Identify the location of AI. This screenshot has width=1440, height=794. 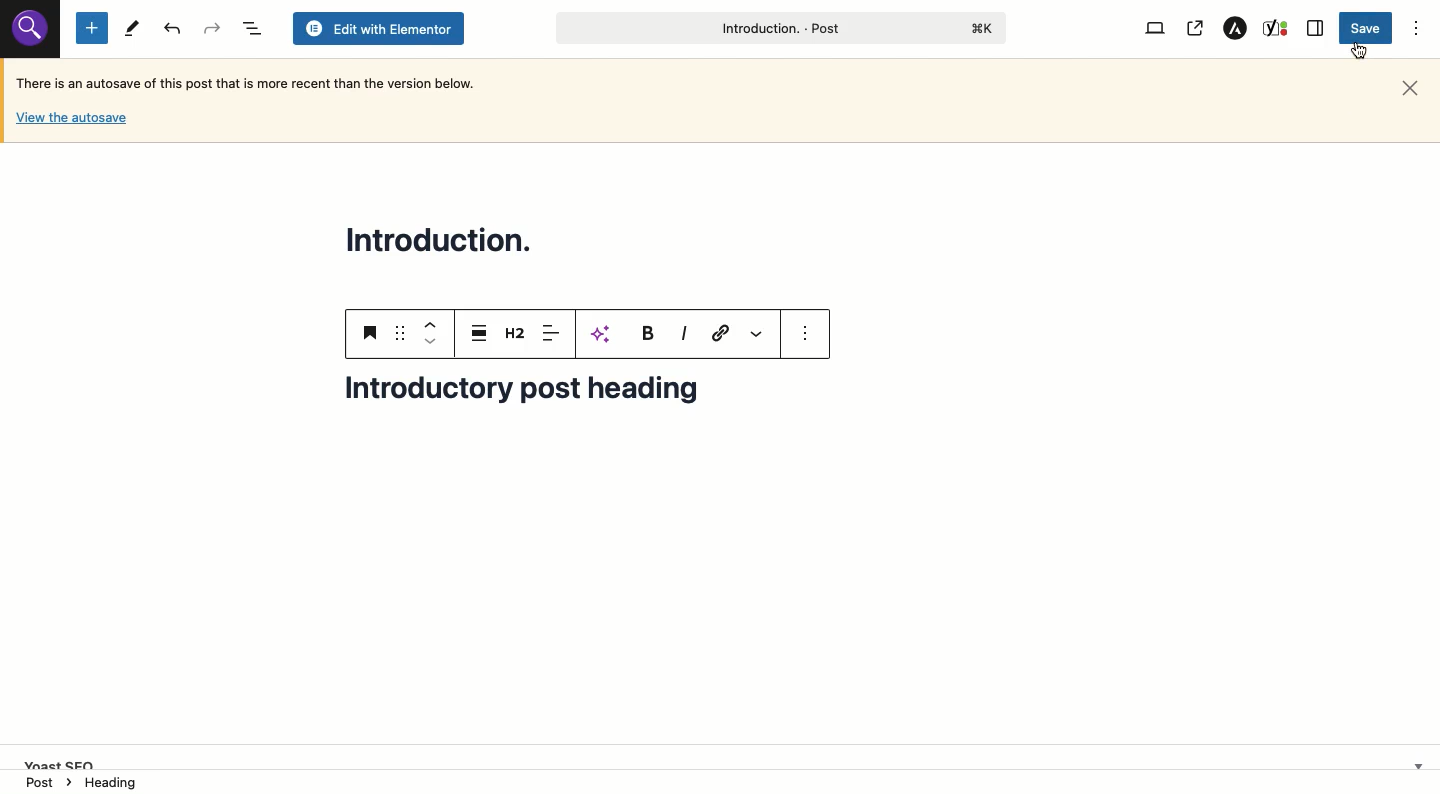
(604, 334).